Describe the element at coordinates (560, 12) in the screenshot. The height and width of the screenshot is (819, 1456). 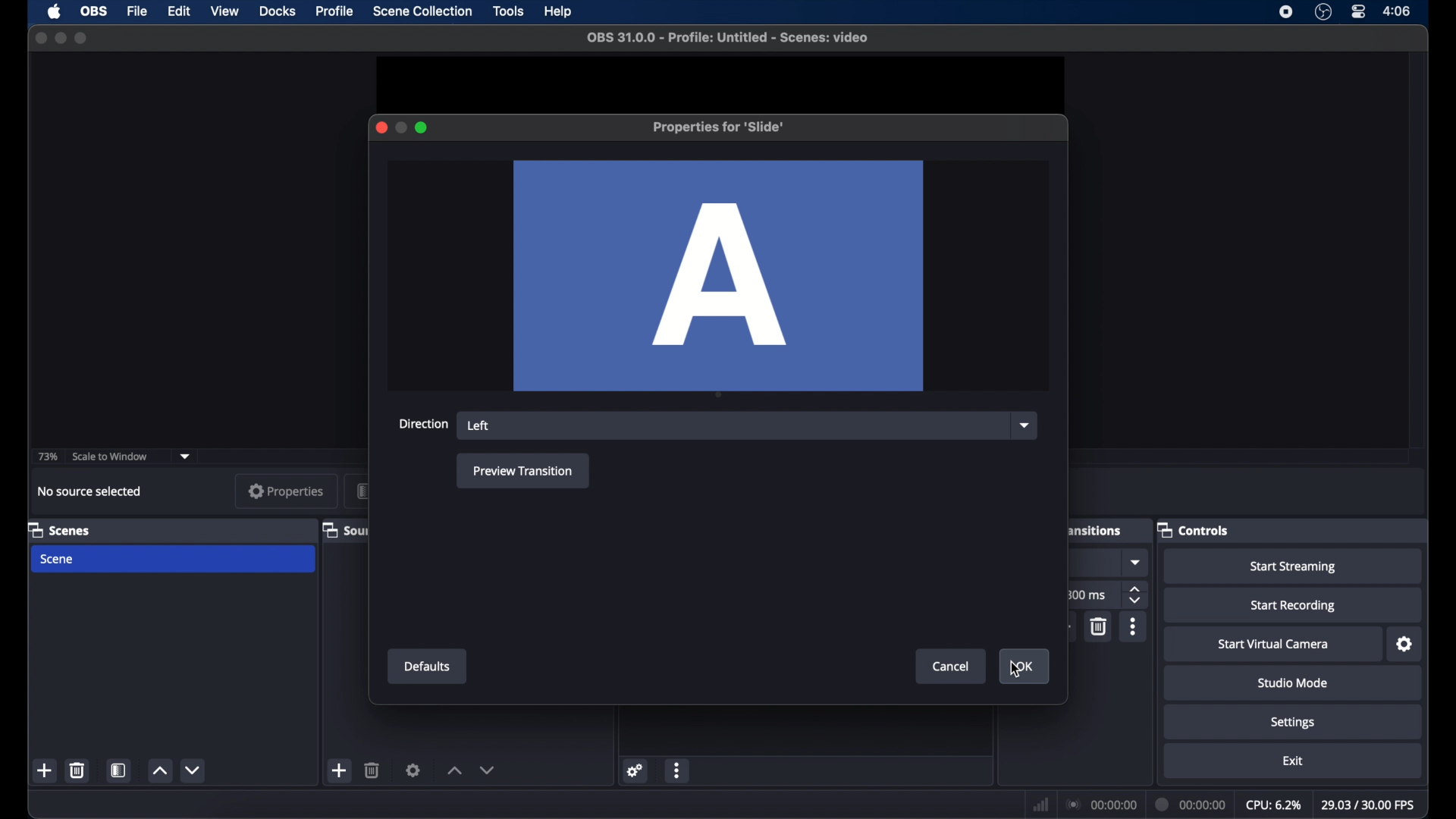
I see `help` at that location.